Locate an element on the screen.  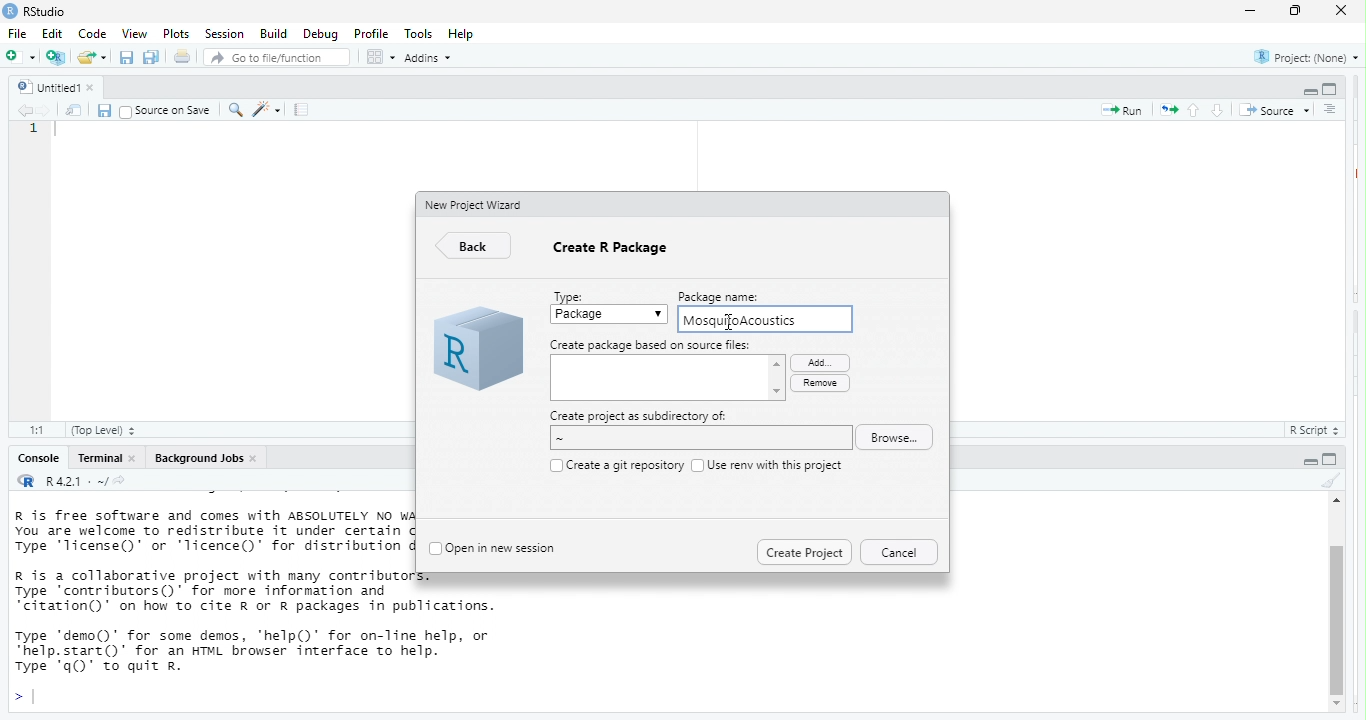
Edit is located at coordinates (54, 35).